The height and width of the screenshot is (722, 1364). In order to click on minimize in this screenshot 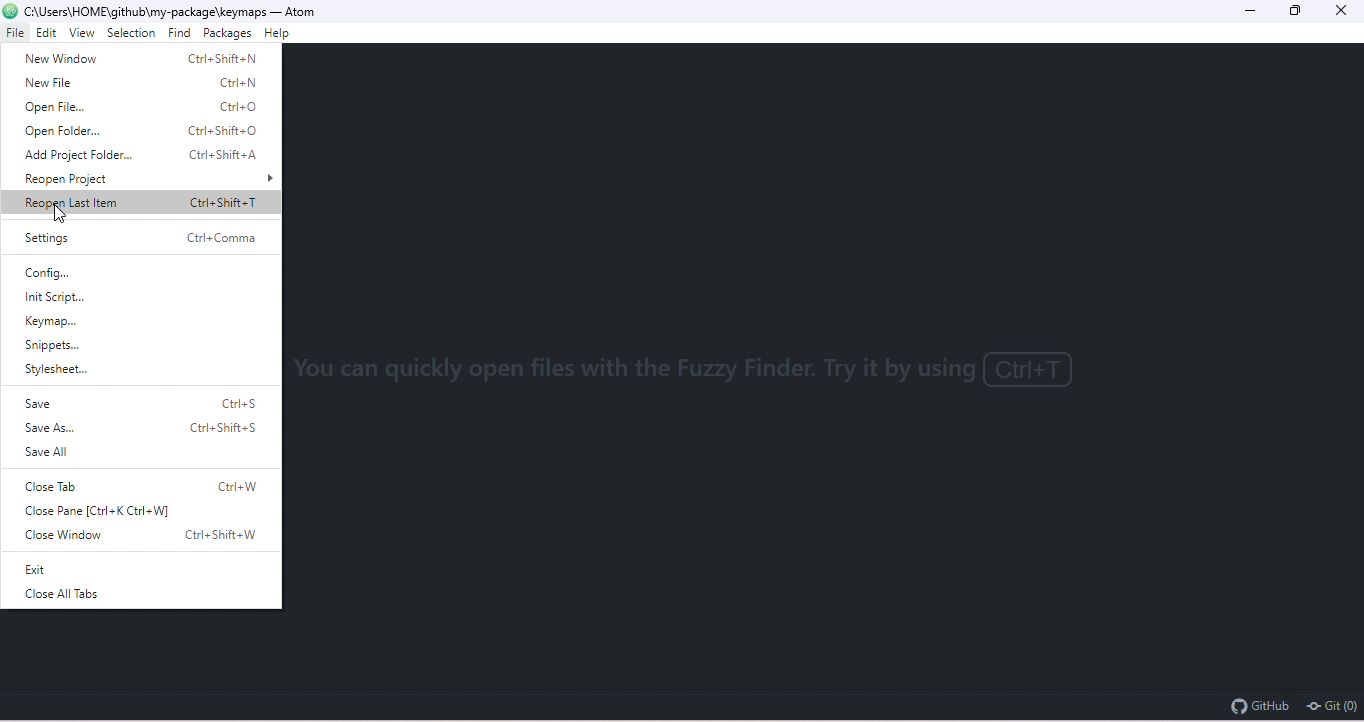, I will do `click(1253, 11)`.